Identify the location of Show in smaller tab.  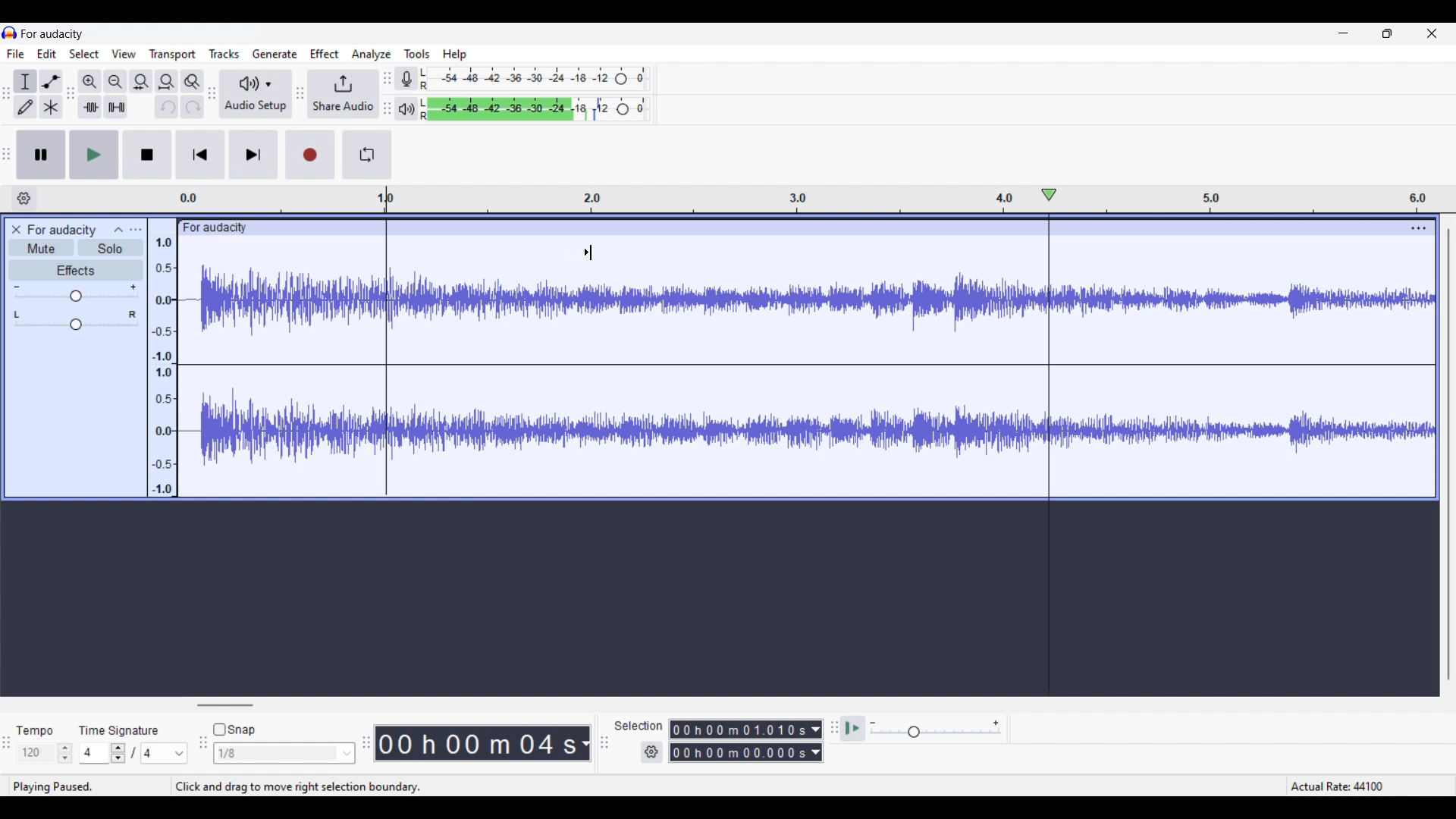
(1387, 33).